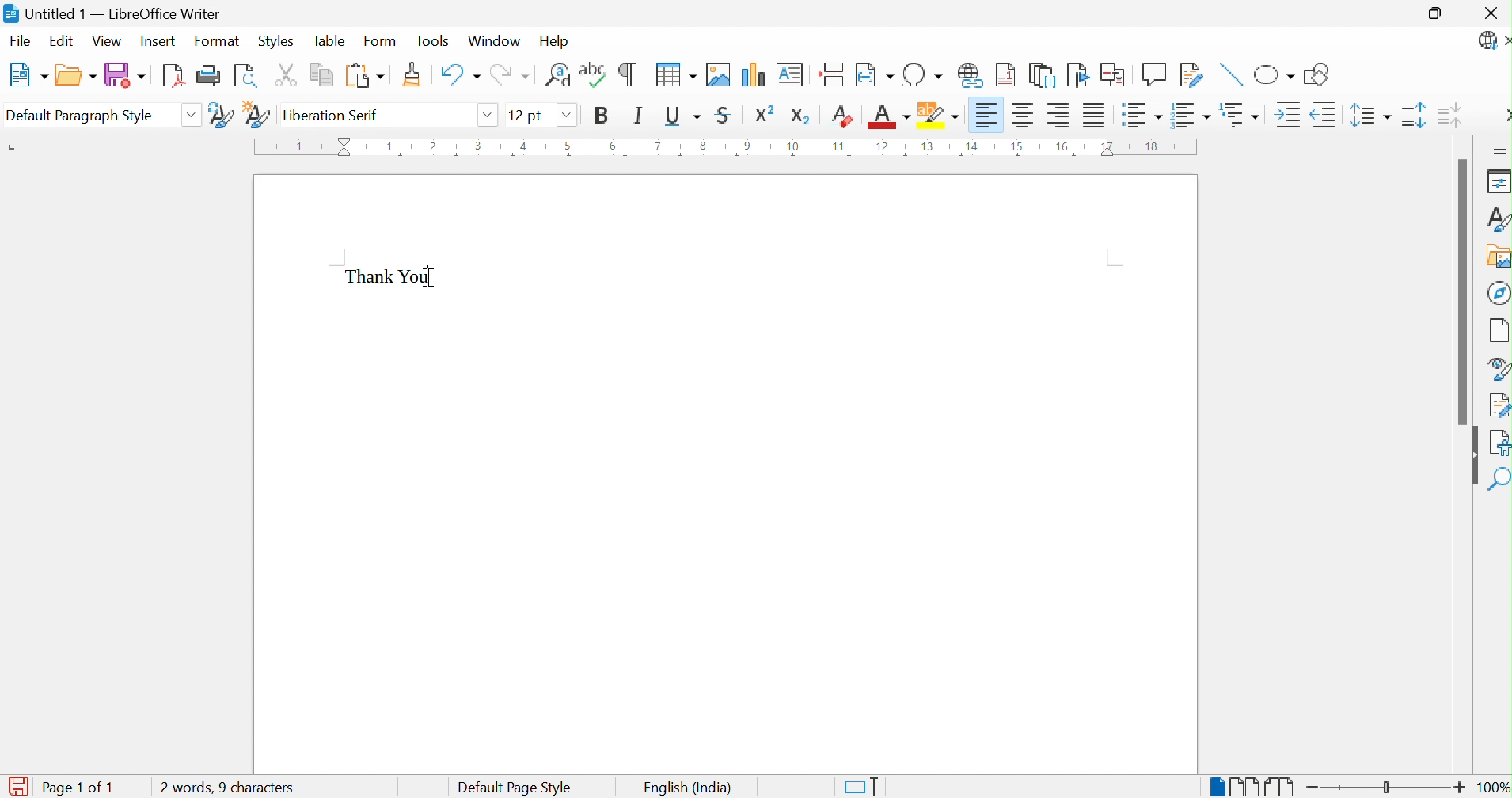 The image size is (1512, 798). What do you see at coordinates (1413, 118) in the screenshot?
I see `Increase Paragraph Spacing` at bounding box center [1413, 118].